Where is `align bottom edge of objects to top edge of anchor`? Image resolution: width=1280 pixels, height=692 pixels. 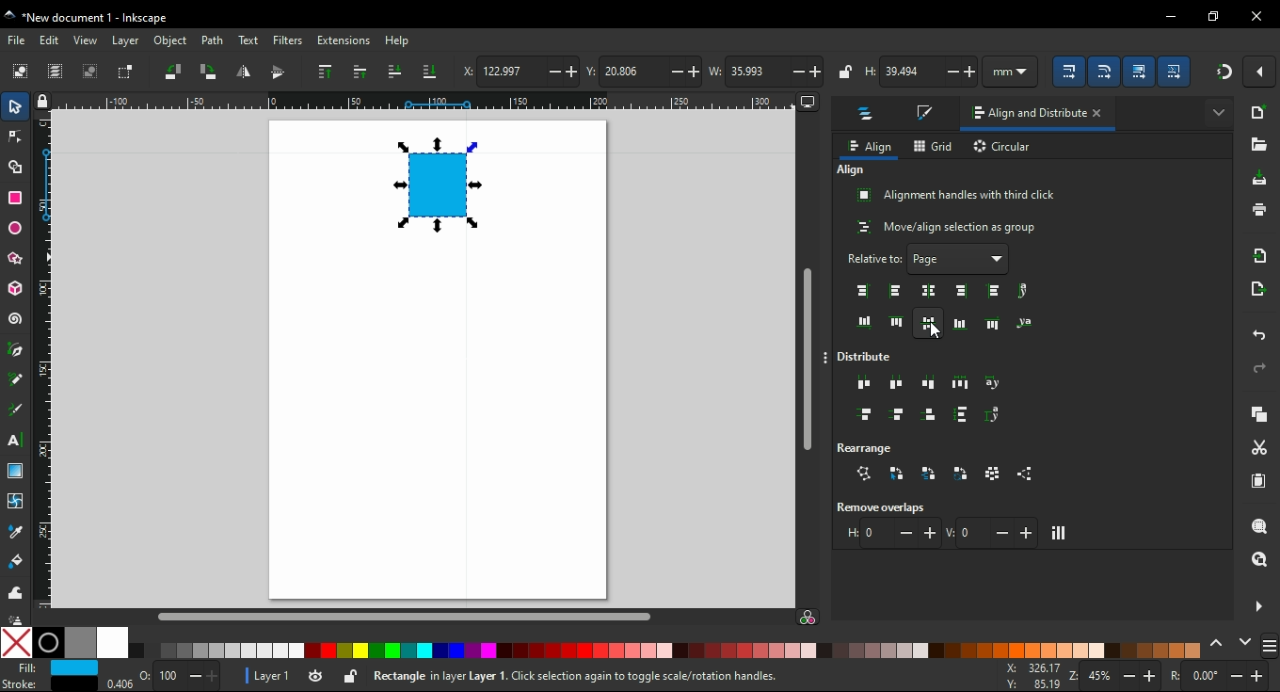 align bottom edge of objects to top edge of anchor is located at coordinates (865, 322).